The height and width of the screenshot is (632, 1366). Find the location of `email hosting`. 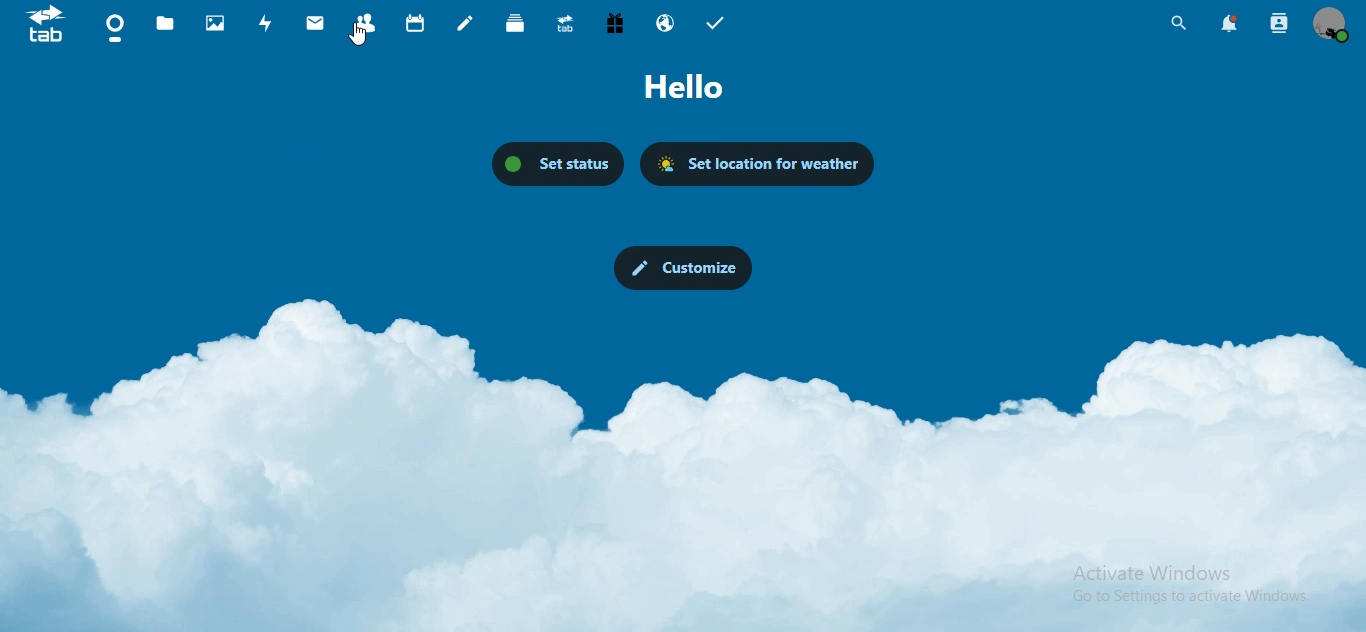

email hosting is located at coordinates (666, 23).